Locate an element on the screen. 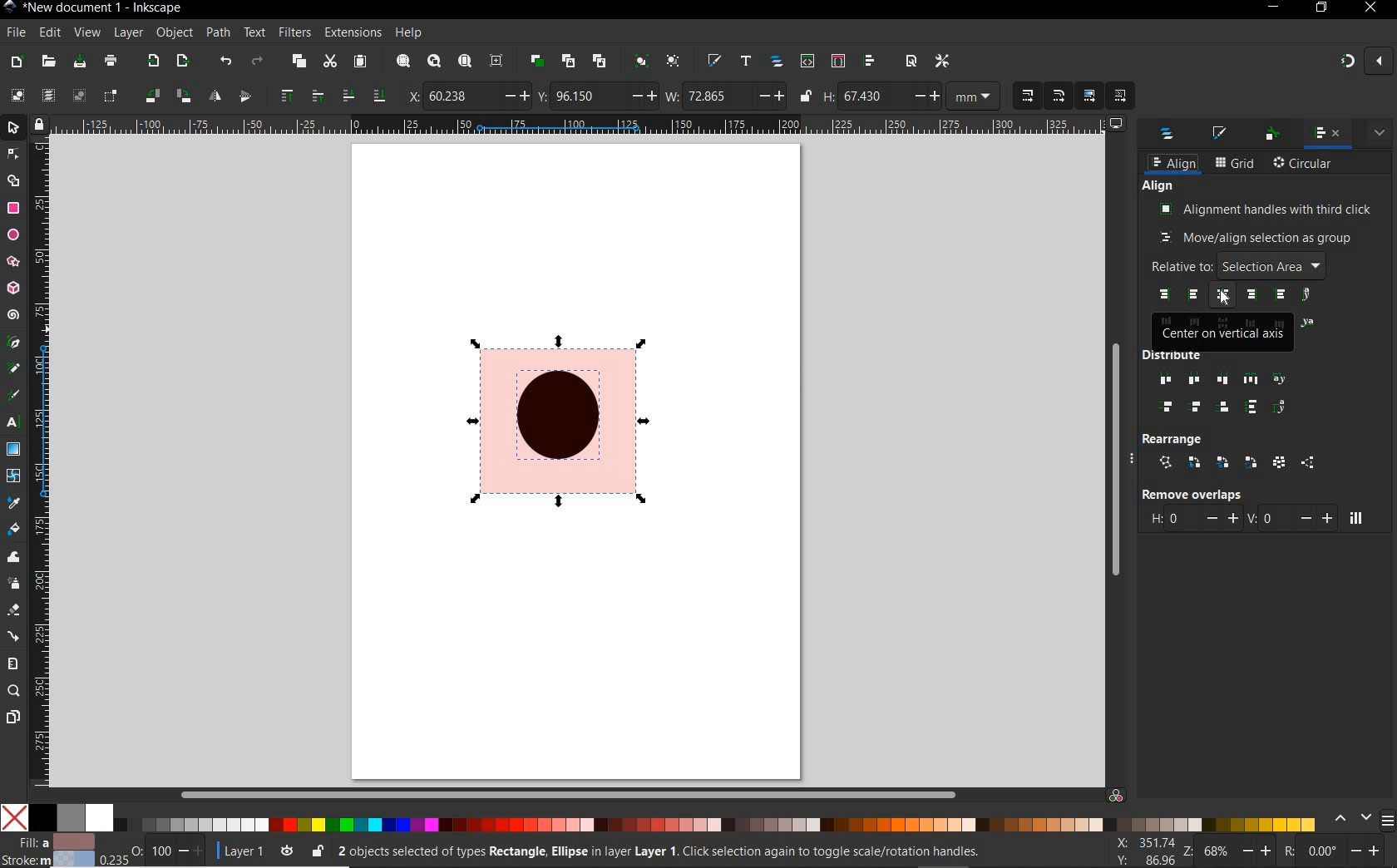 The width and height of the screenshot is (1397, 868). object flip vertical is located at coordinates (244, 94).